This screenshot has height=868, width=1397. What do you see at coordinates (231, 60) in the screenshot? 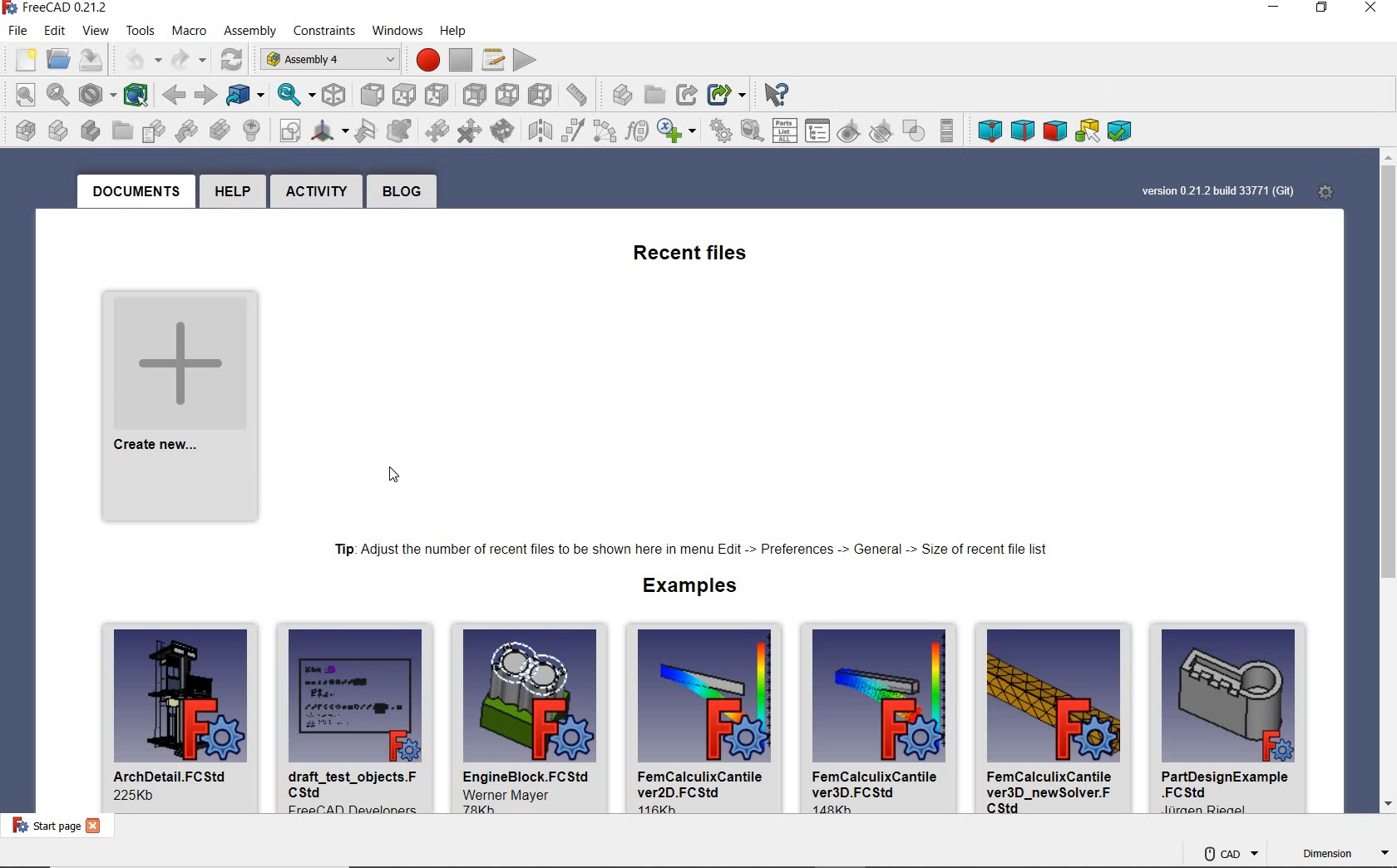
I see `refresh` at bounding box center [231, 60].